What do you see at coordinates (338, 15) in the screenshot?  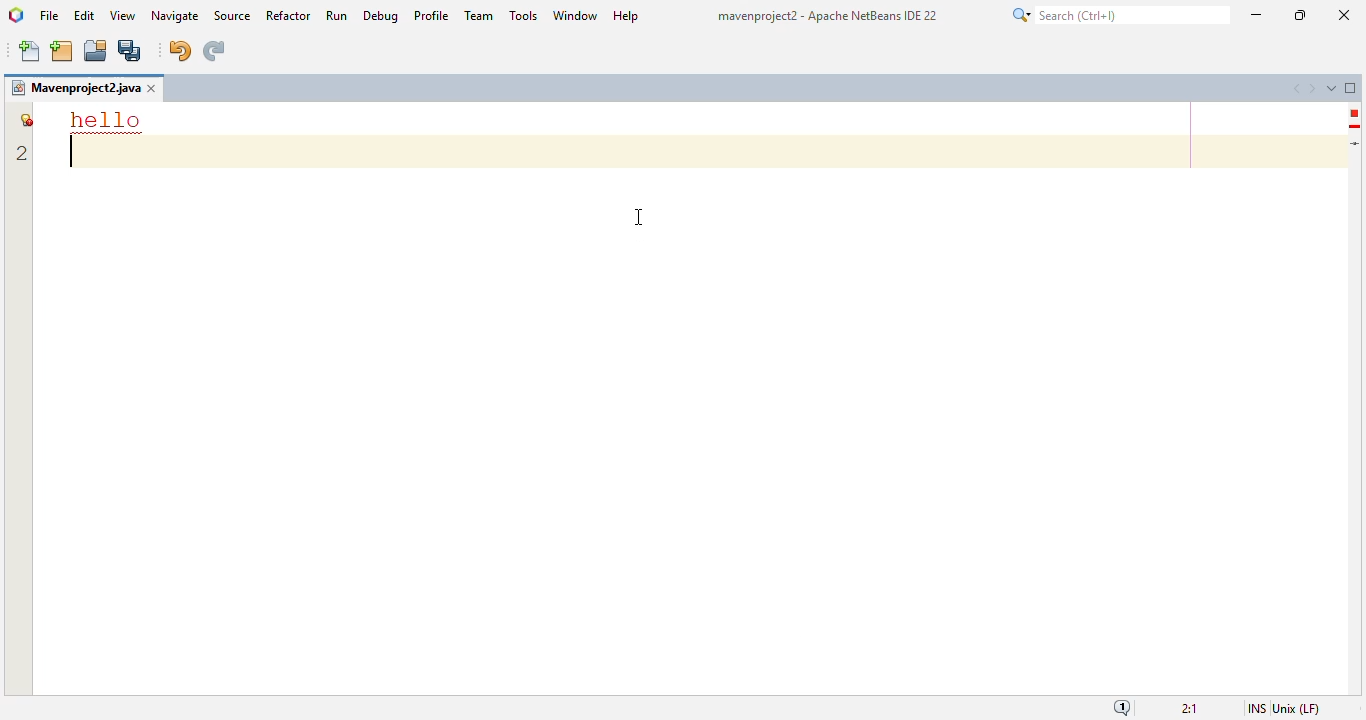 I see `run` at bounding box center [338, 15].